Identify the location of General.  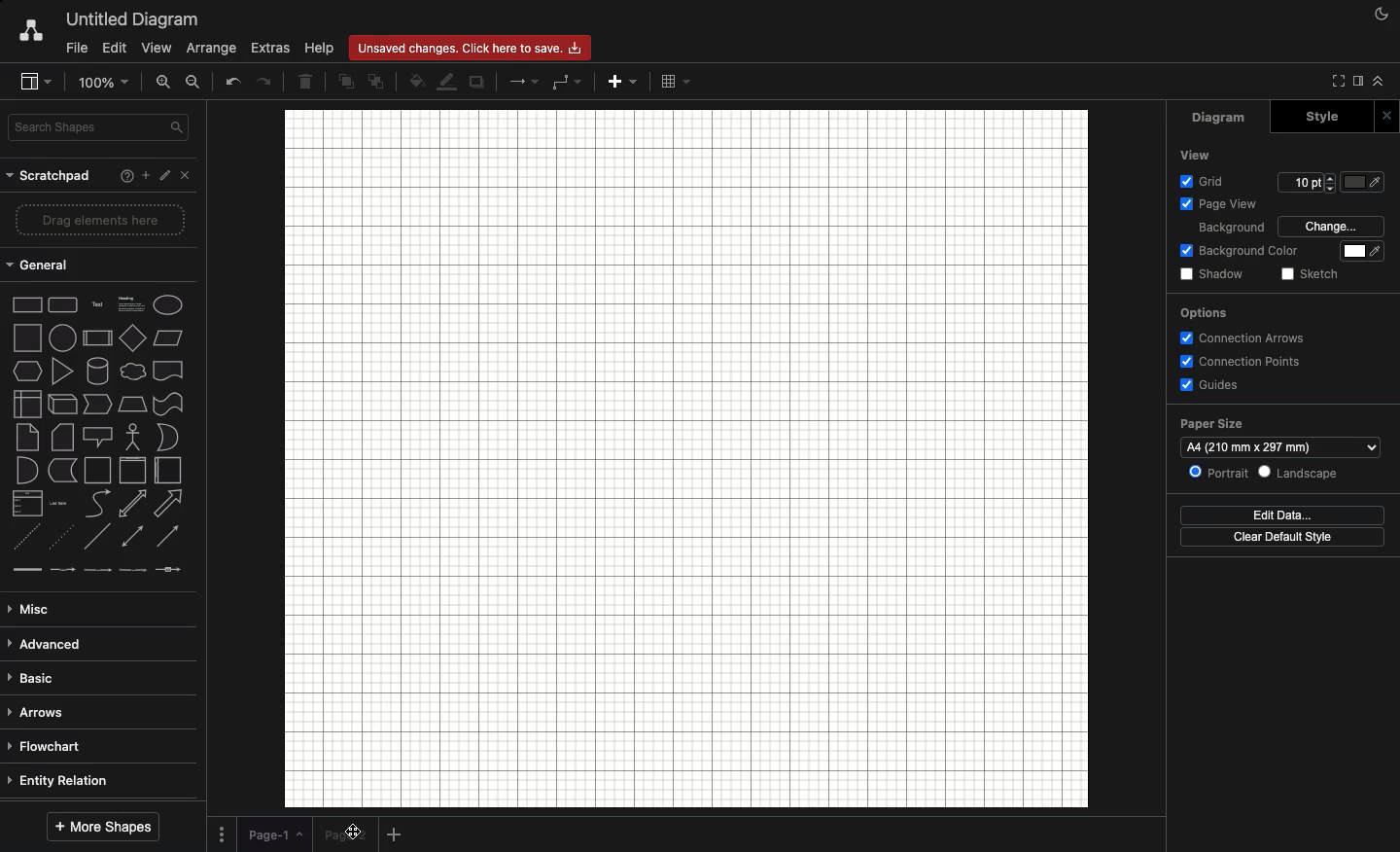
(41, 266).